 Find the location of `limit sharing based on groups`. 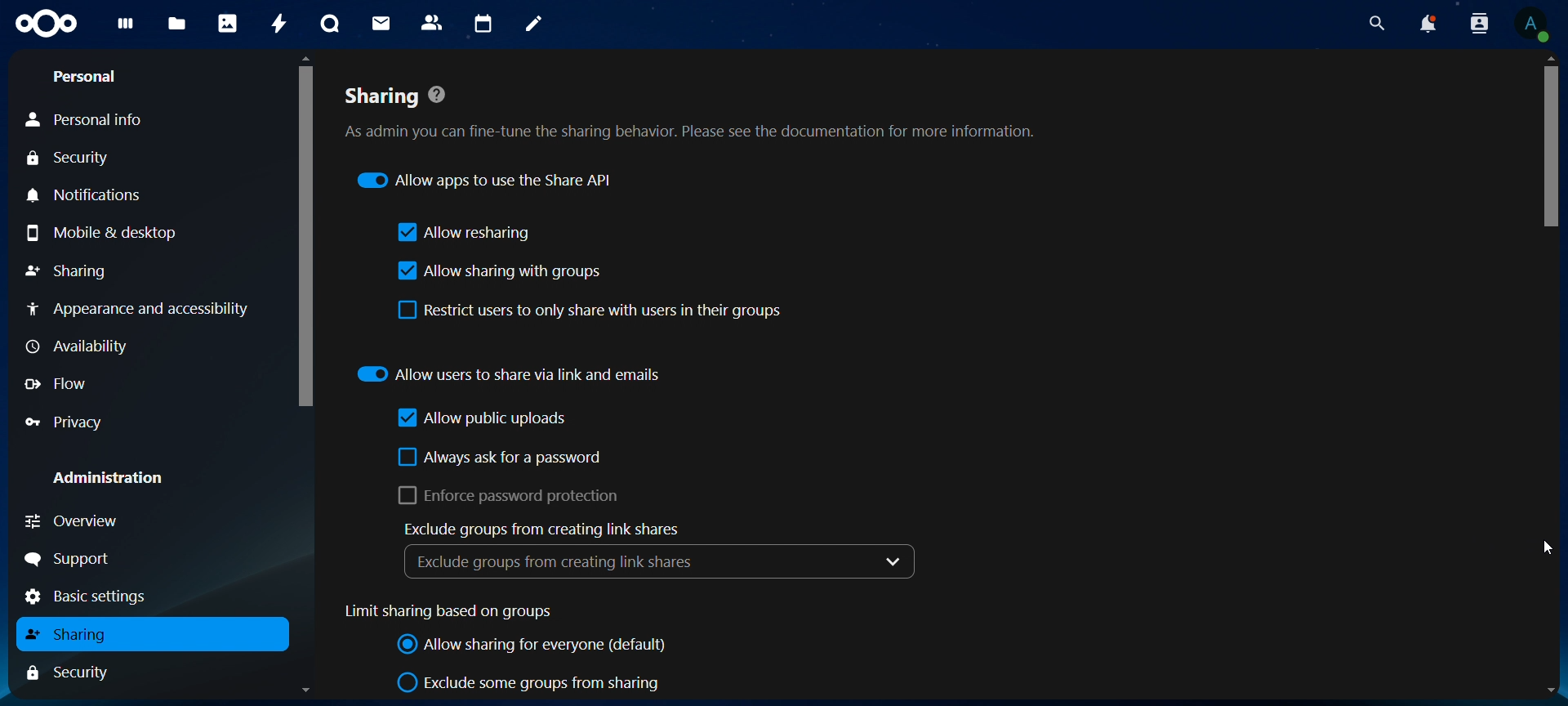

limit sharing based on groups is located at coordinates (455, 615).